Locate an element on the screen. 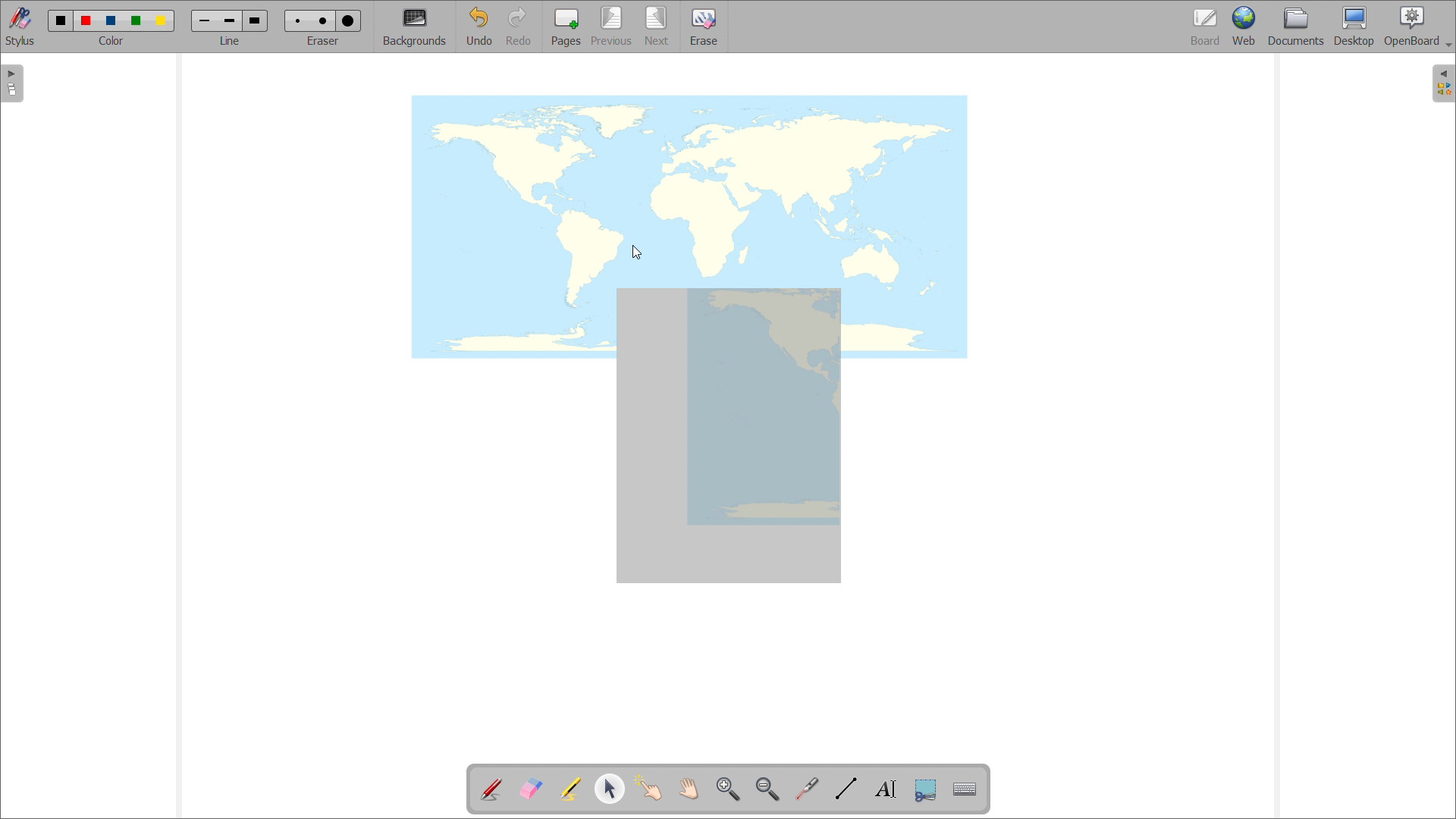 The height and width of the screenshot is (819, 1456). add pages is located at coordinates (566, 27).